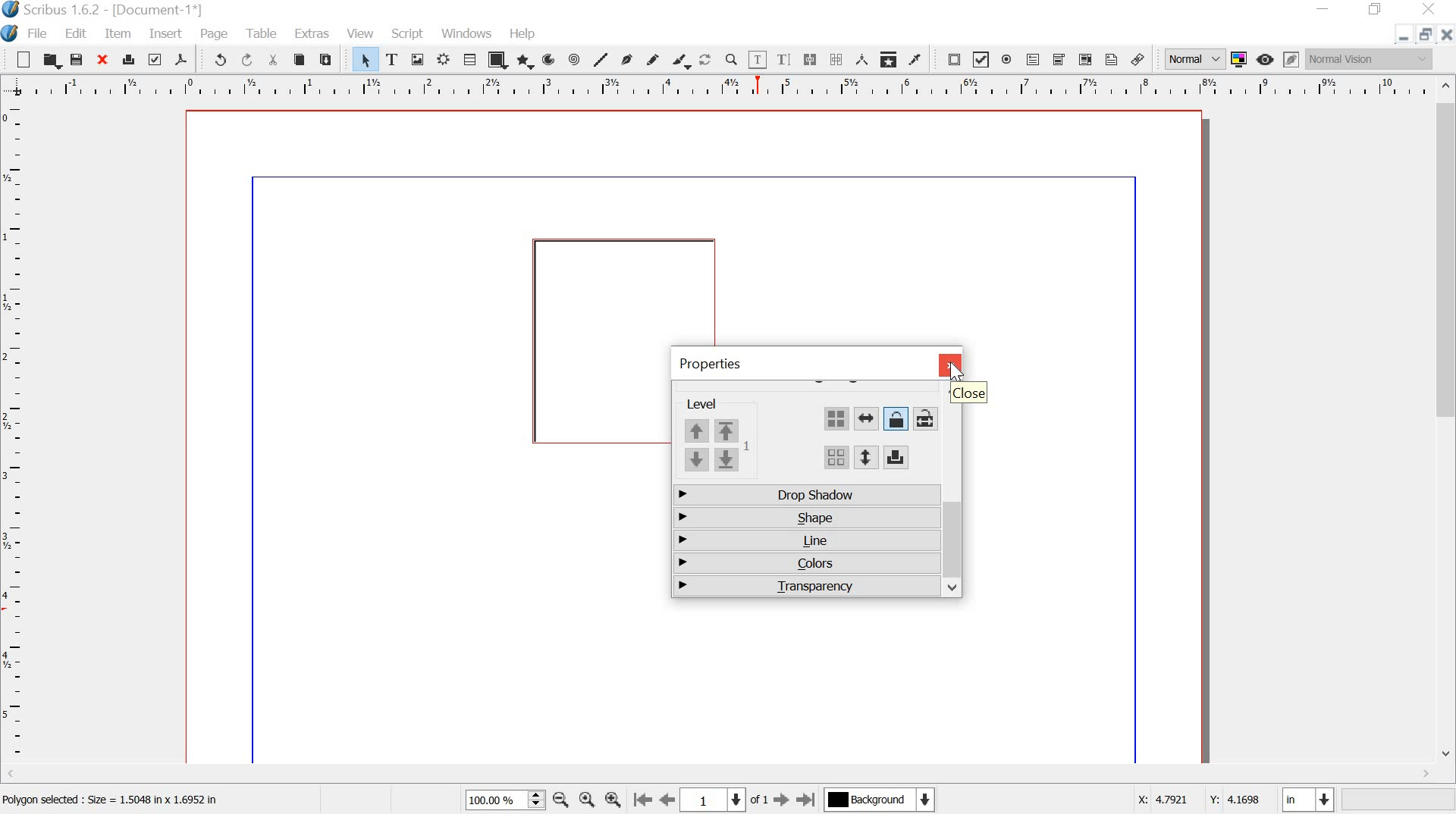 The image size is (1456, 814). What do you see at coordinates (50, 61) in the screenshot?
I see `open` at bounding box center [50, 61].